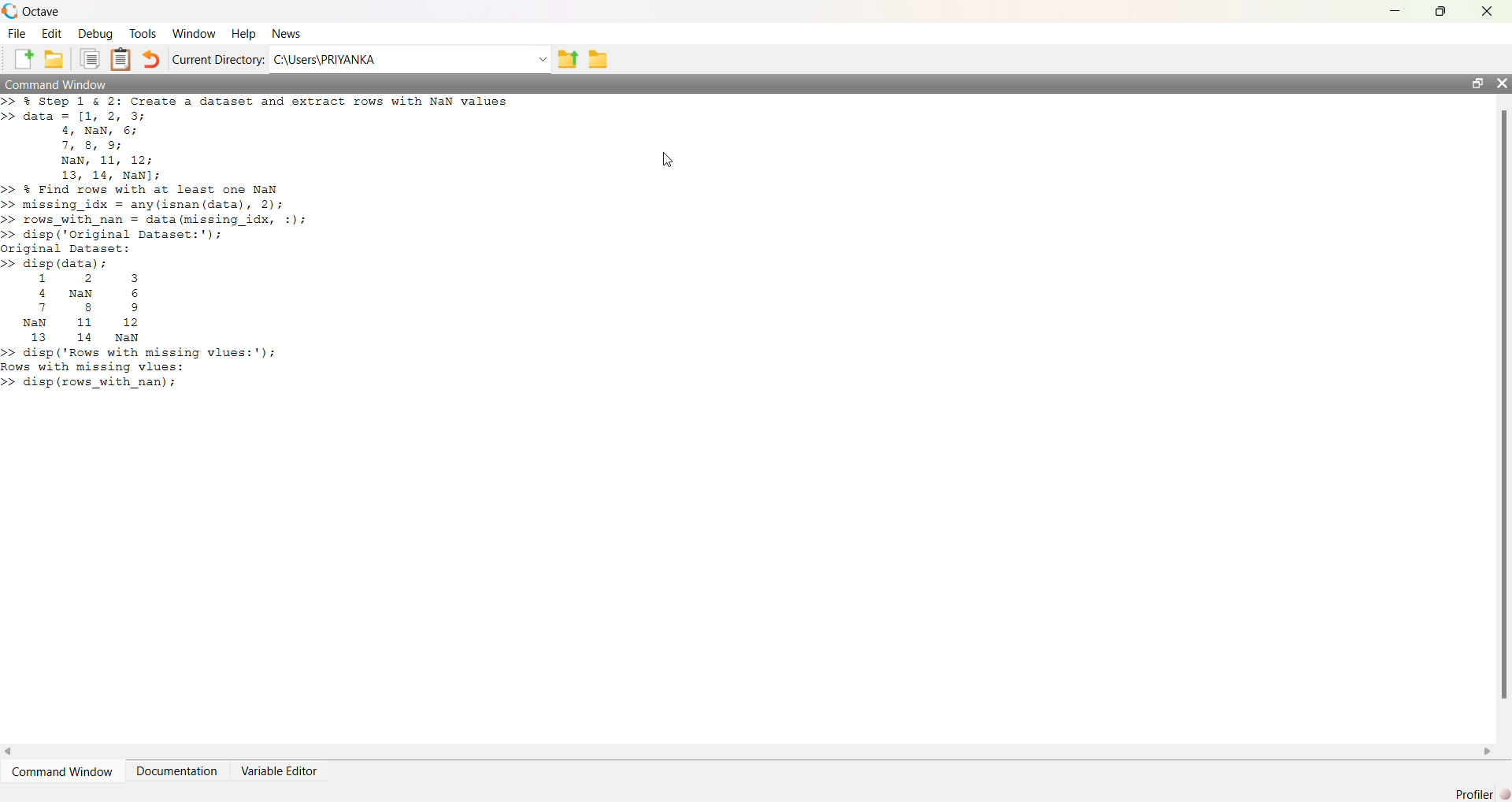  What do you see at coordinates (176, 771) in the screenshot?
I see `Documentation` at bounding box center [176, 771].